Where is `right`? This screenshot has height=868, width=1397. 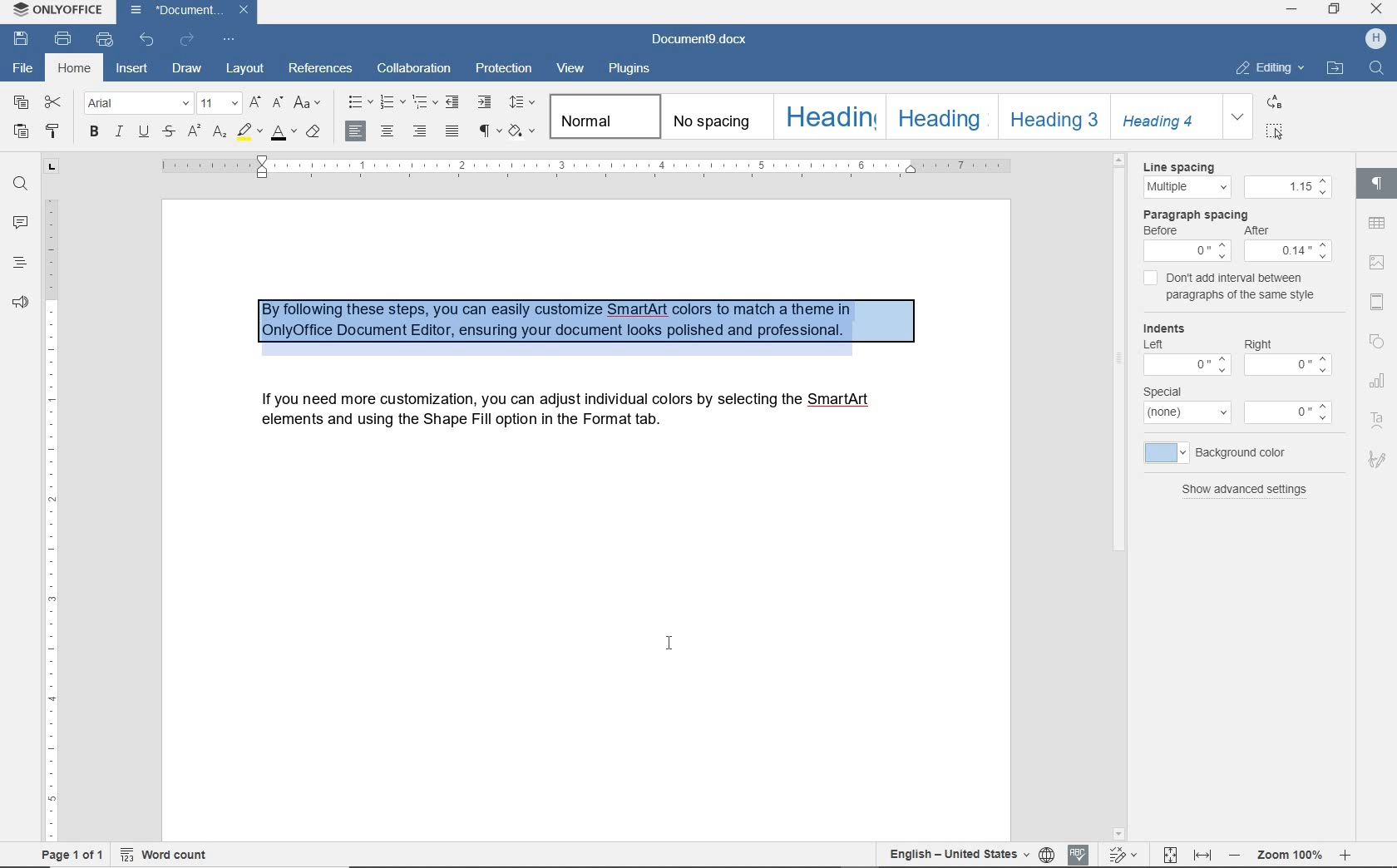 right is located at coordinates (1258, 343).